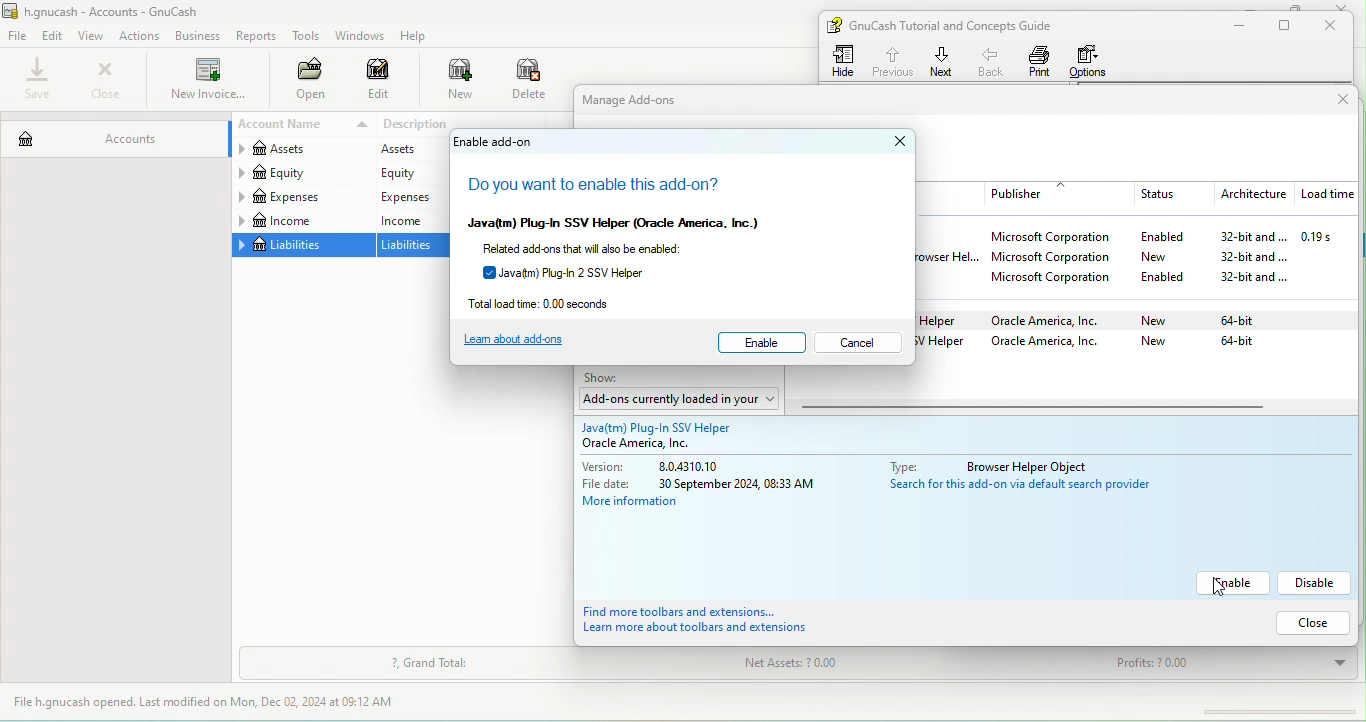 This screenshot has width=1366, height=722. What do you see at coordinates (1051, 343) in the screenshot?
I see `oracle america lnc` at bounding box center [1051, 343].